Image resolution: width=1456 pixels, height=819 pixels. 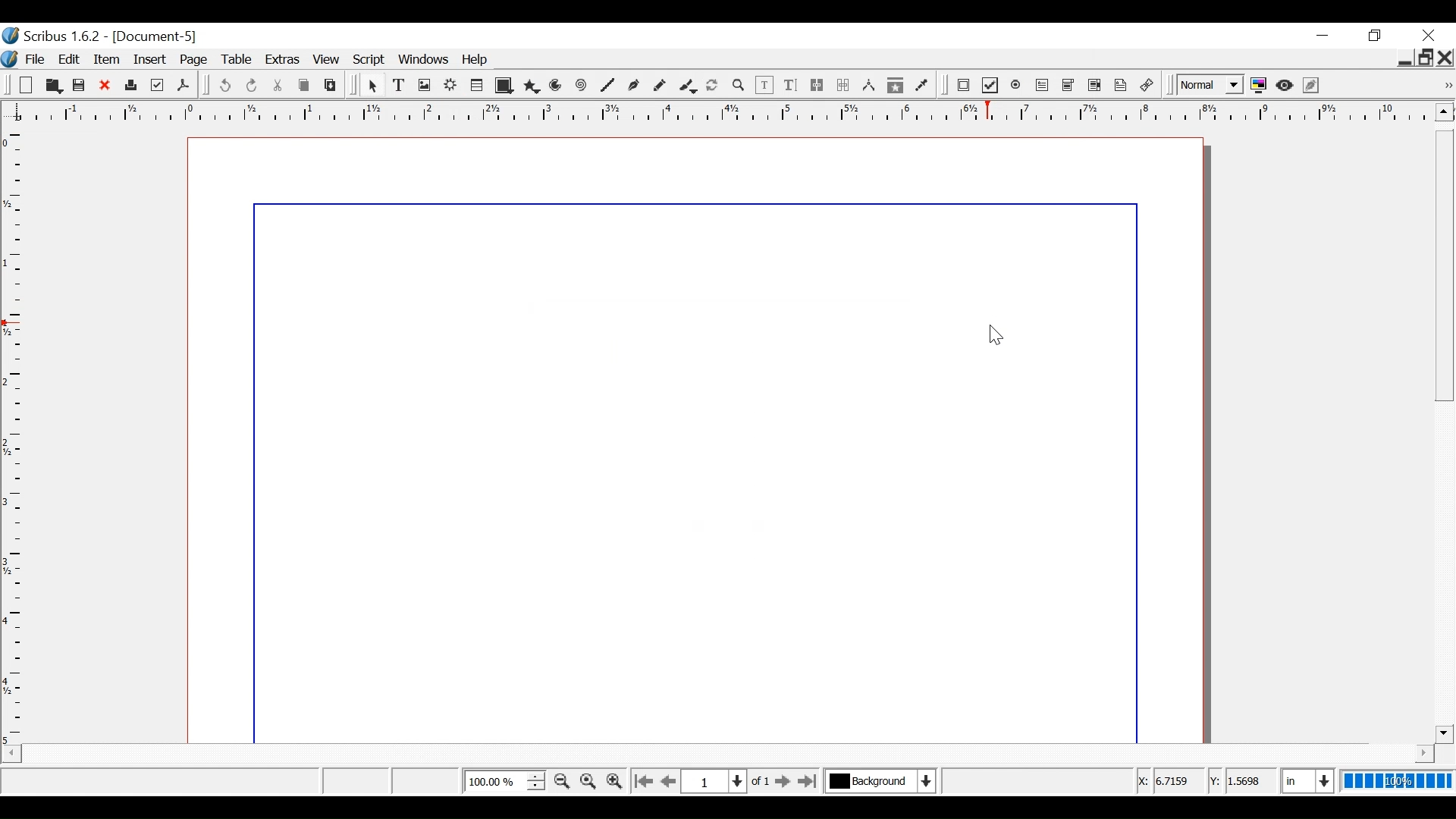 I want to click on Arc , so click(x=557, y=86).